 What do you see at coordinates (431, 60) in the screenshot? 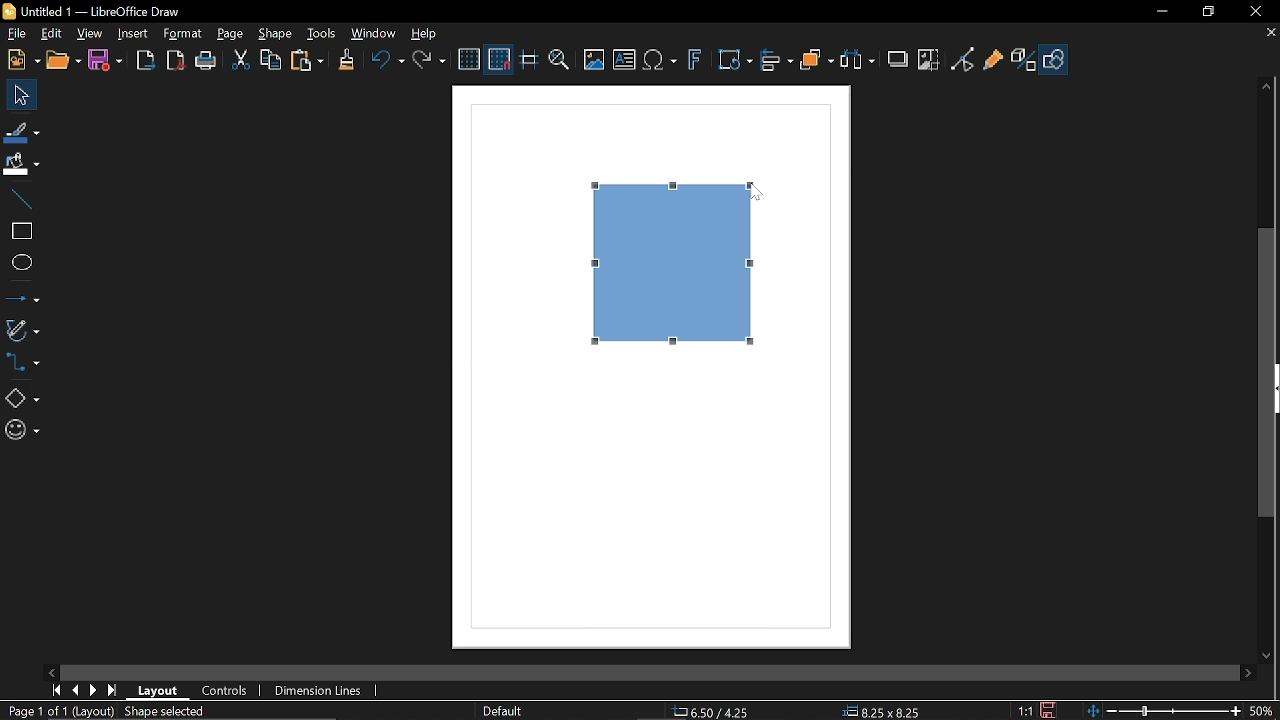
I see `Redo` at bounding box center [431, 60].